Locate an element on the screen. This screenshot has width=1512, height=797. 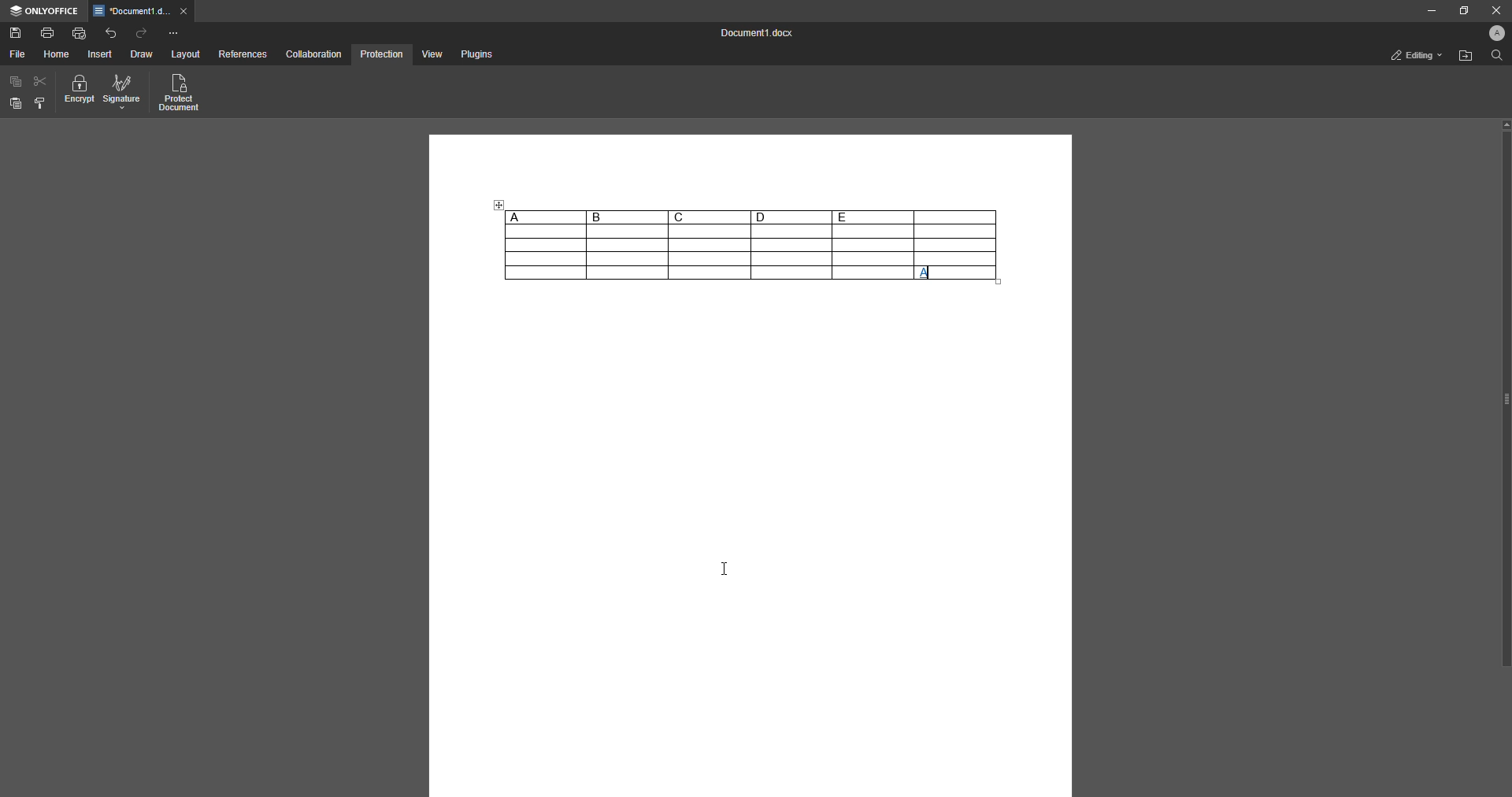
Paste is located at coordinates (16, 104).